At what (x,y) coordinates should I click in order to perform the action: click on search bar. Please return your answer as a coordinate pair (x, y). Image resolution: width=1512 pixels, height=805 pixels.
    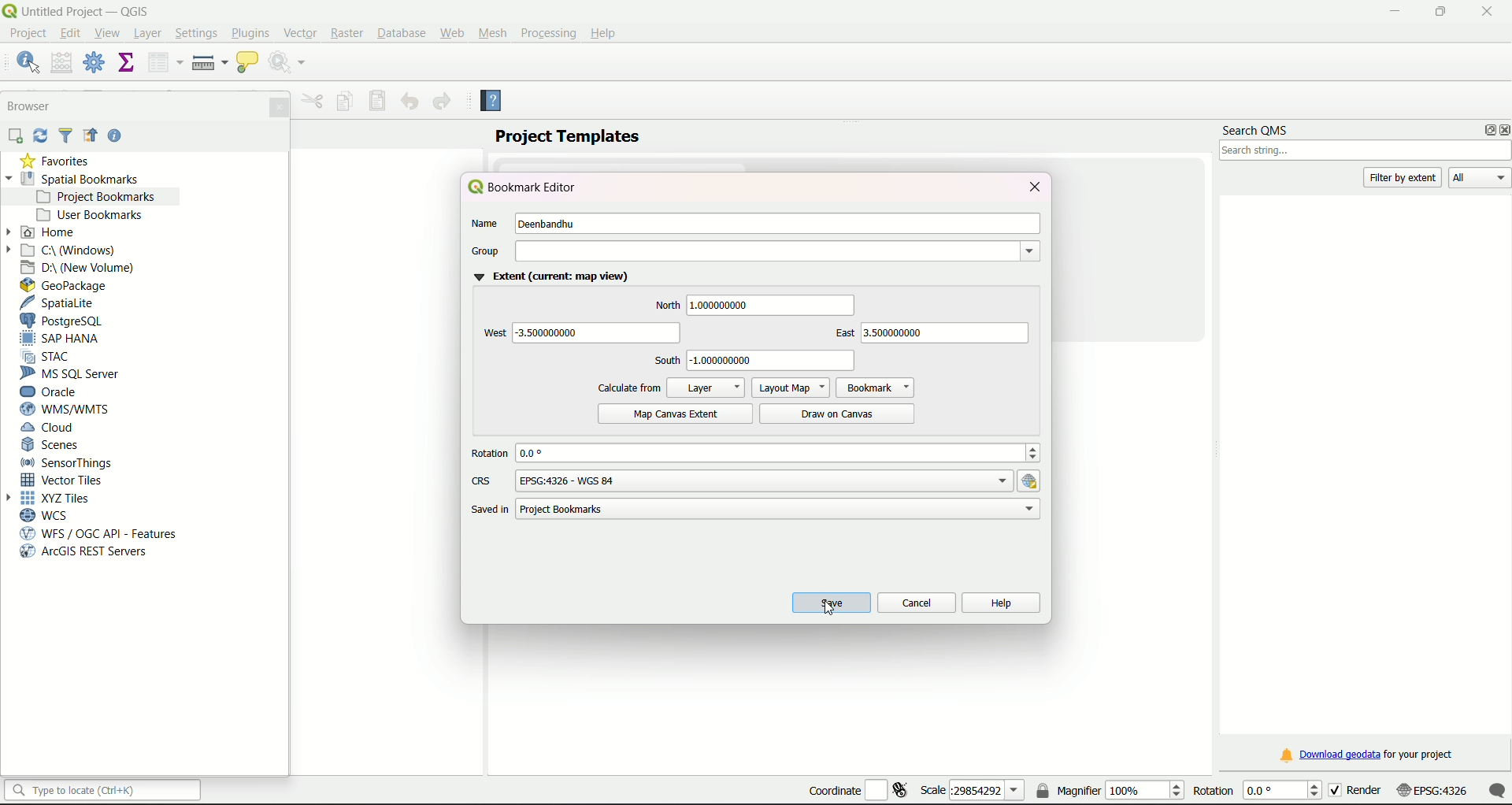
    Looking at the image, I should click on (103, 790).